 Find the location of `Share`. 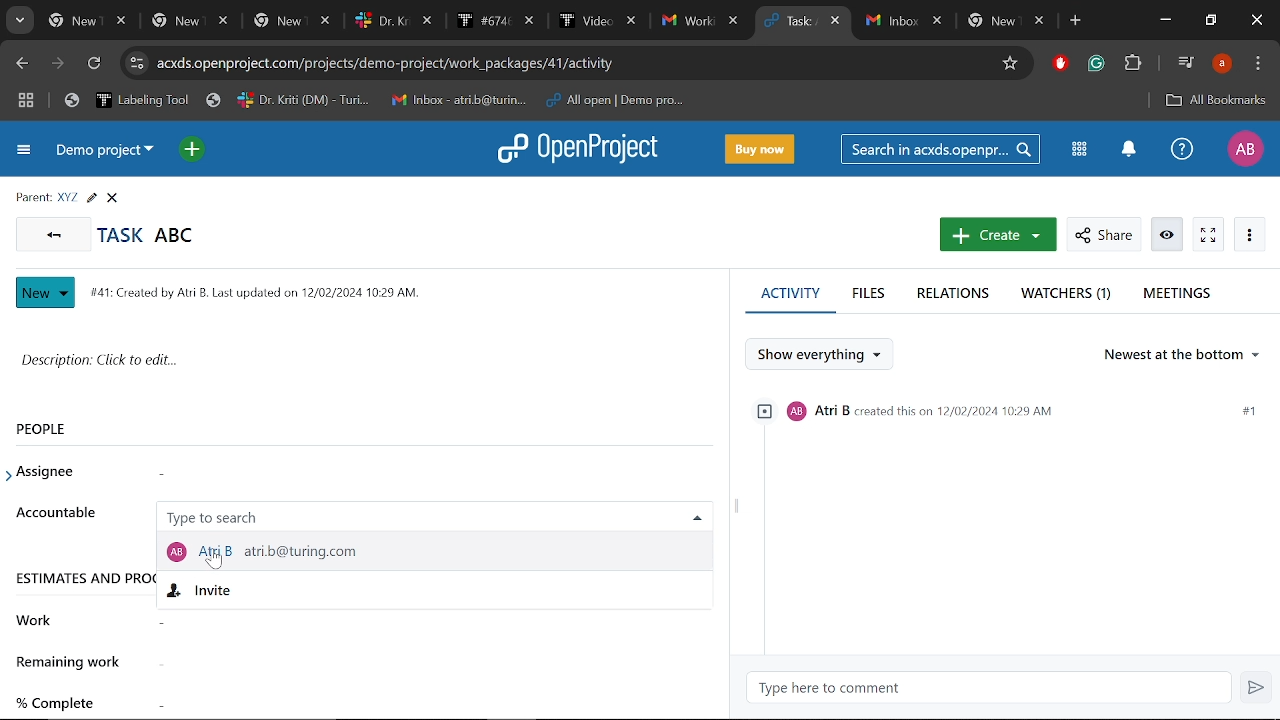

Share is located at coordinates (1103, 235).